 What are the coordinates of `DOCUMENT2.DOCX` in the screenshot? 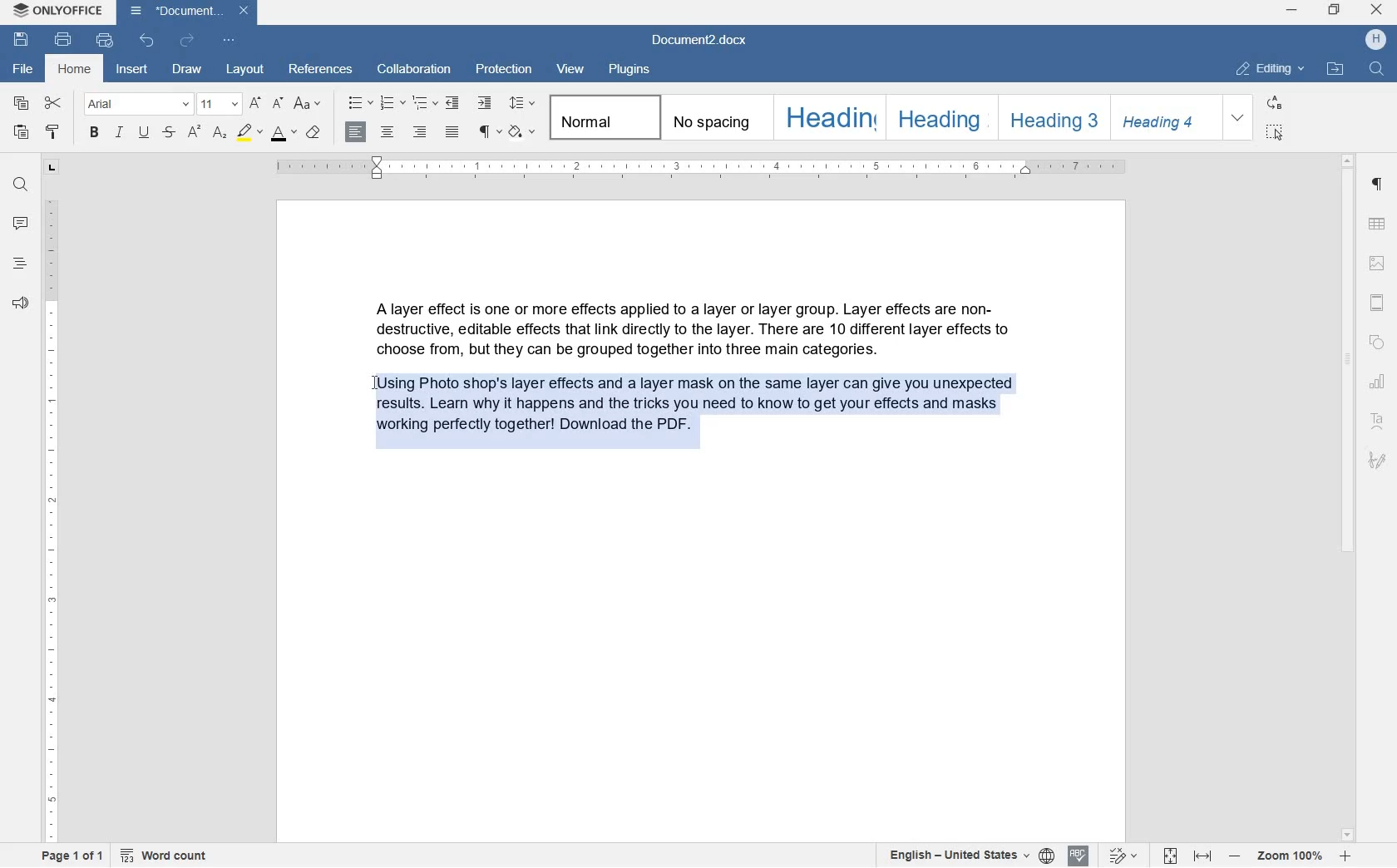 It's located at (188, 13).